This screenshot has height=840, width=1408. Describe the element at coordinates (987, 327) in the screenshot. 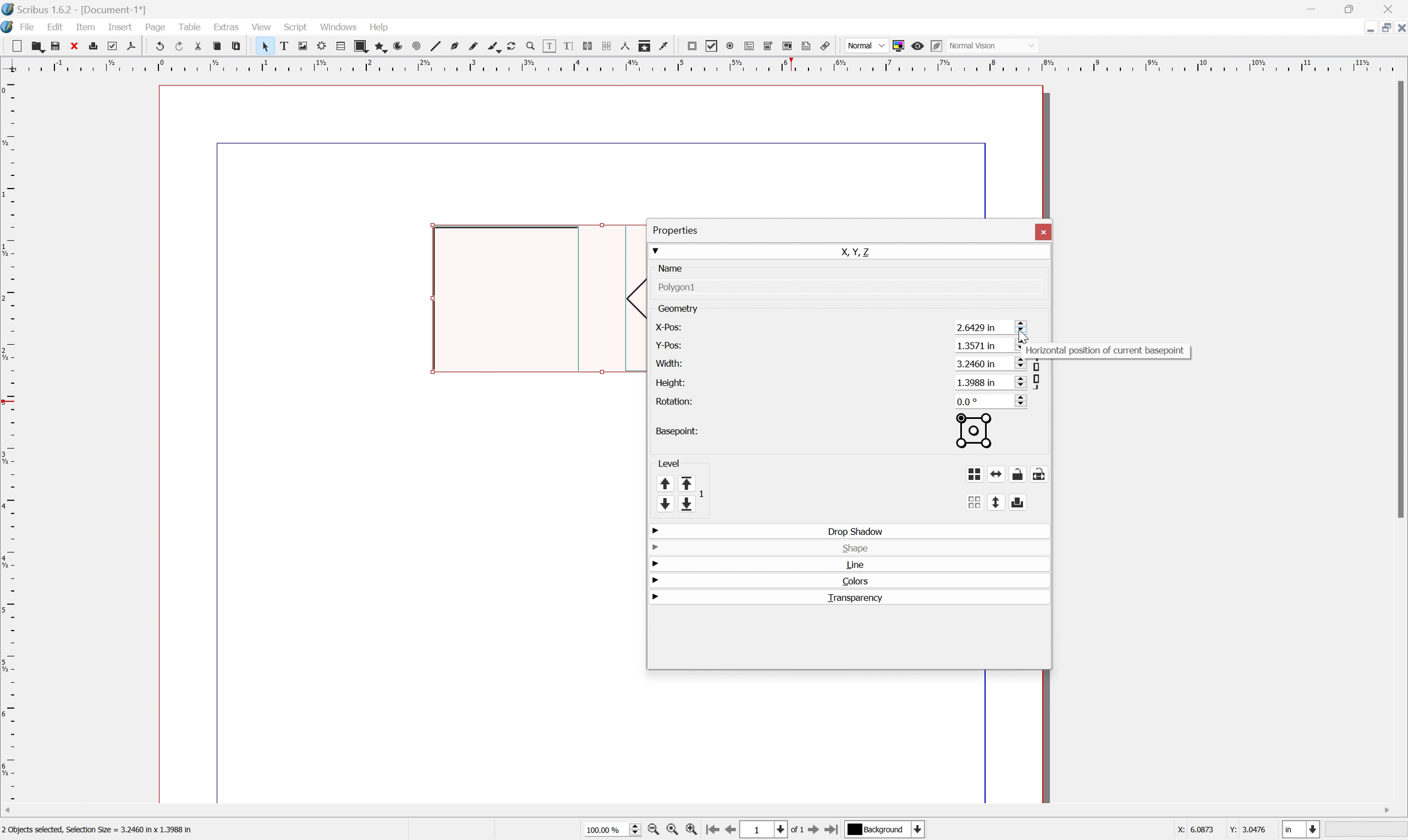

I see `2.6429 in` at that location.